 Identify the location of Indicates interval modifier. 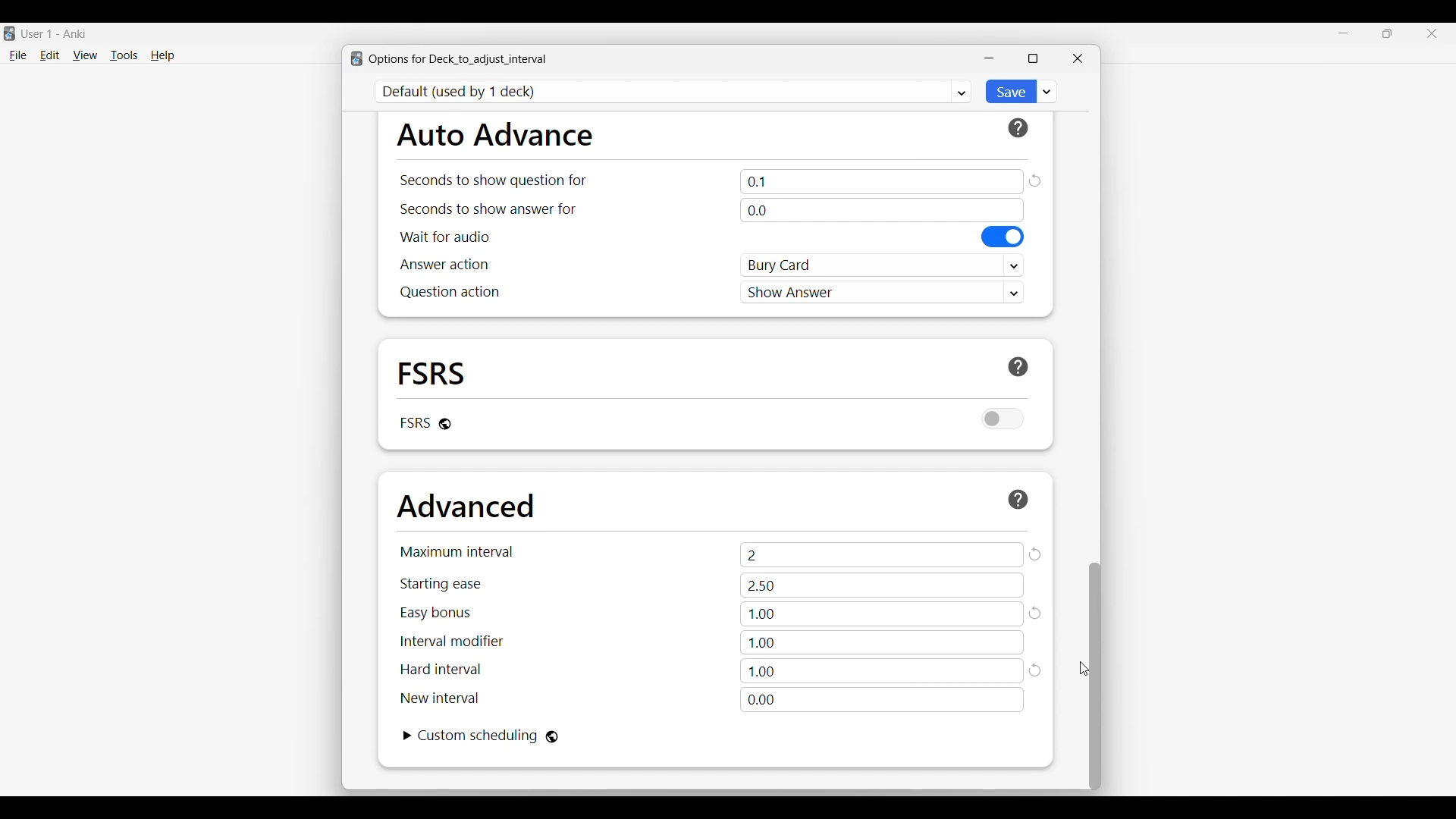
(452, 641).